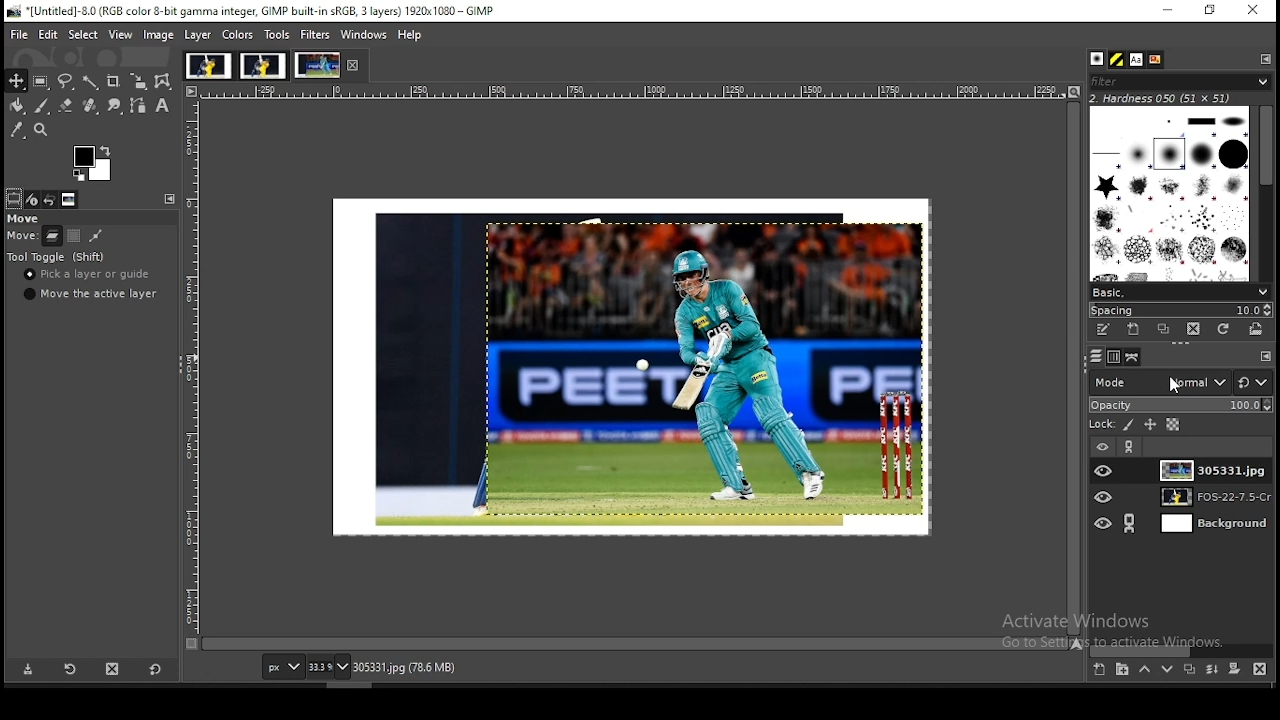  Describe the element at coordinates (25, 236) in the screenshot. I see `move` at that location.